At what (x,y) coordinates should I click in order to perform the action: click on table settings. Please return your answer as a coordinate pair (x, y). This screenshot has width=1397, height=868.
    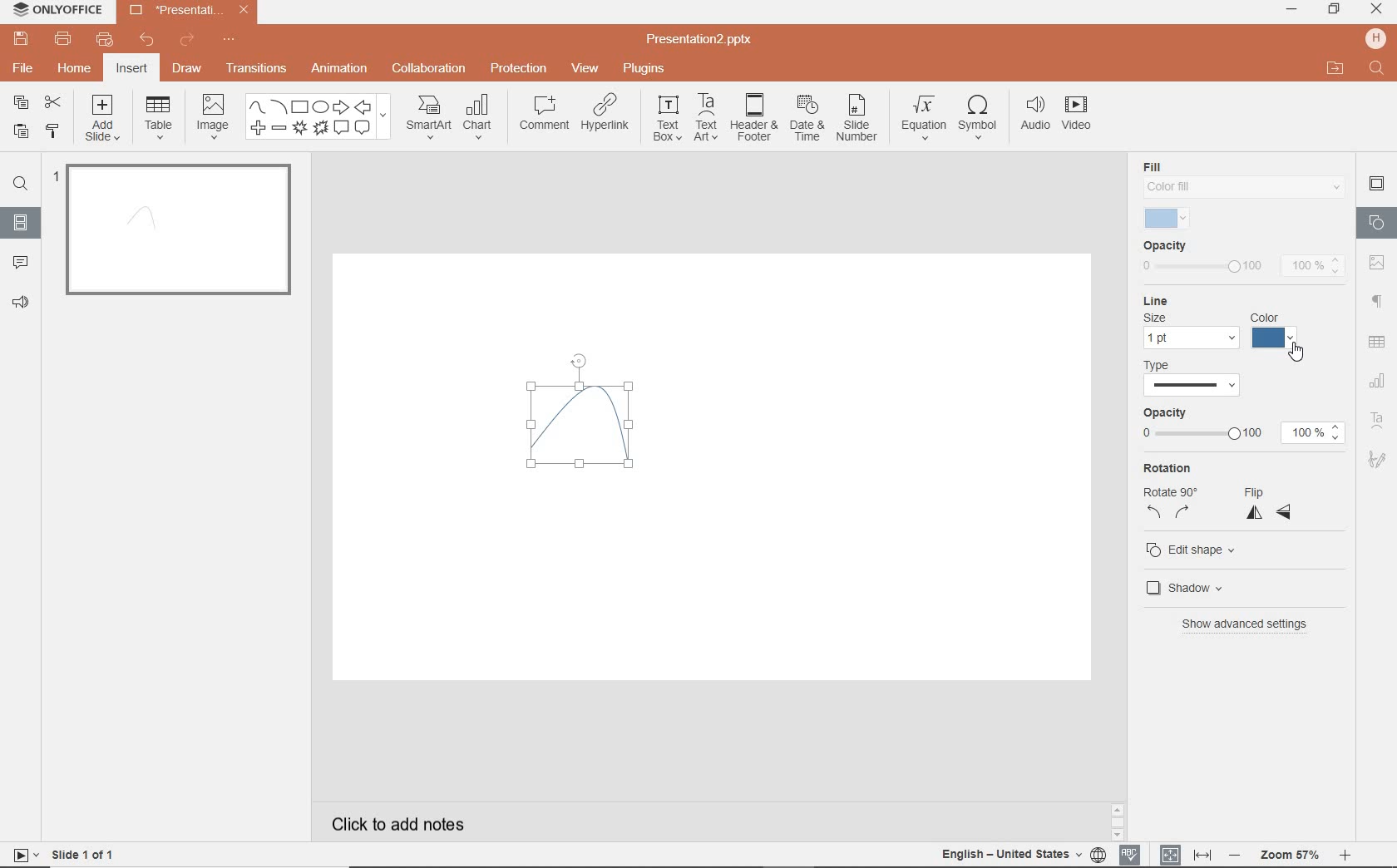
    Looking at the image, I should click on (1379, 340).